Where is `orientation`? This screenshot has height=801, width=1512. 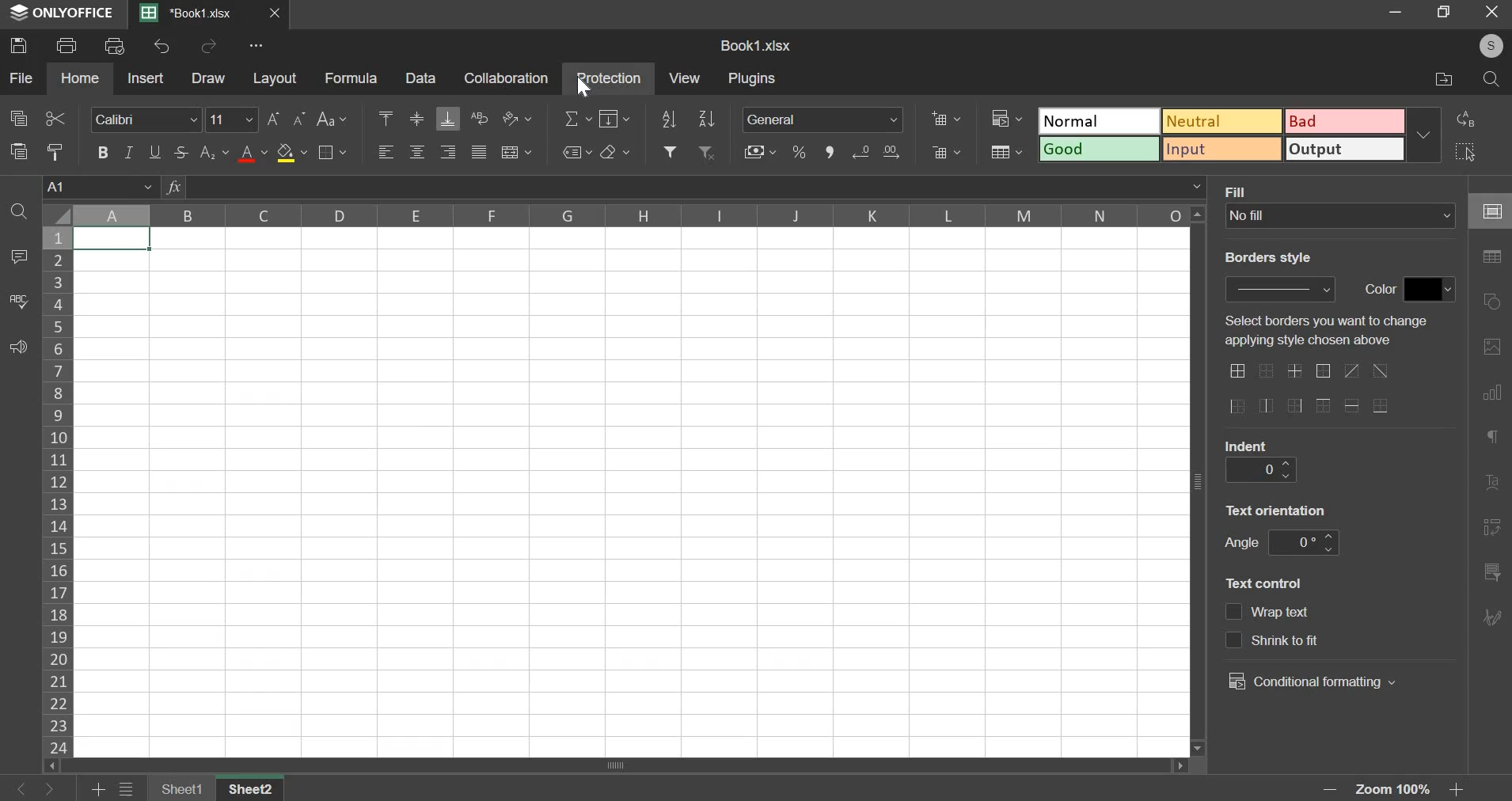 orientation is located at coordinates (517, 119).